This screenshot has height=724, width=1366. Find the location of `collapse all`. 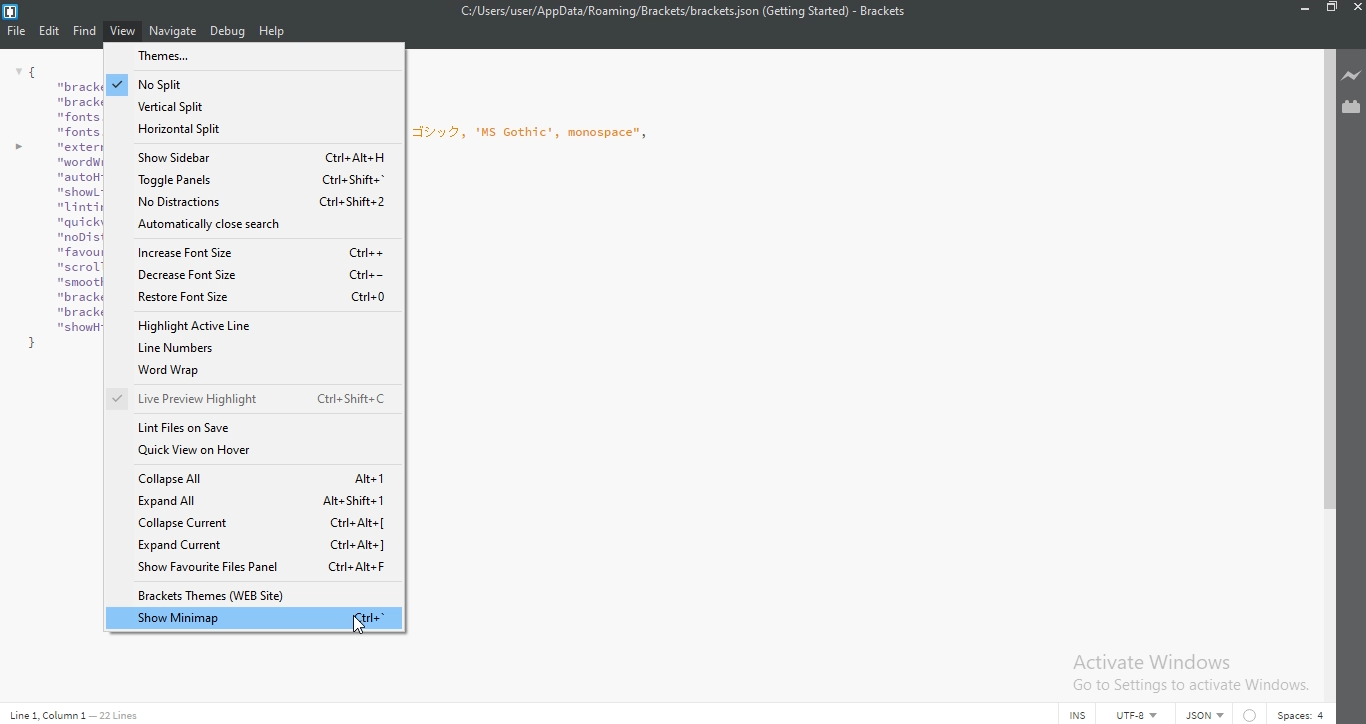

collapse all is located at coordinates (248, 481).